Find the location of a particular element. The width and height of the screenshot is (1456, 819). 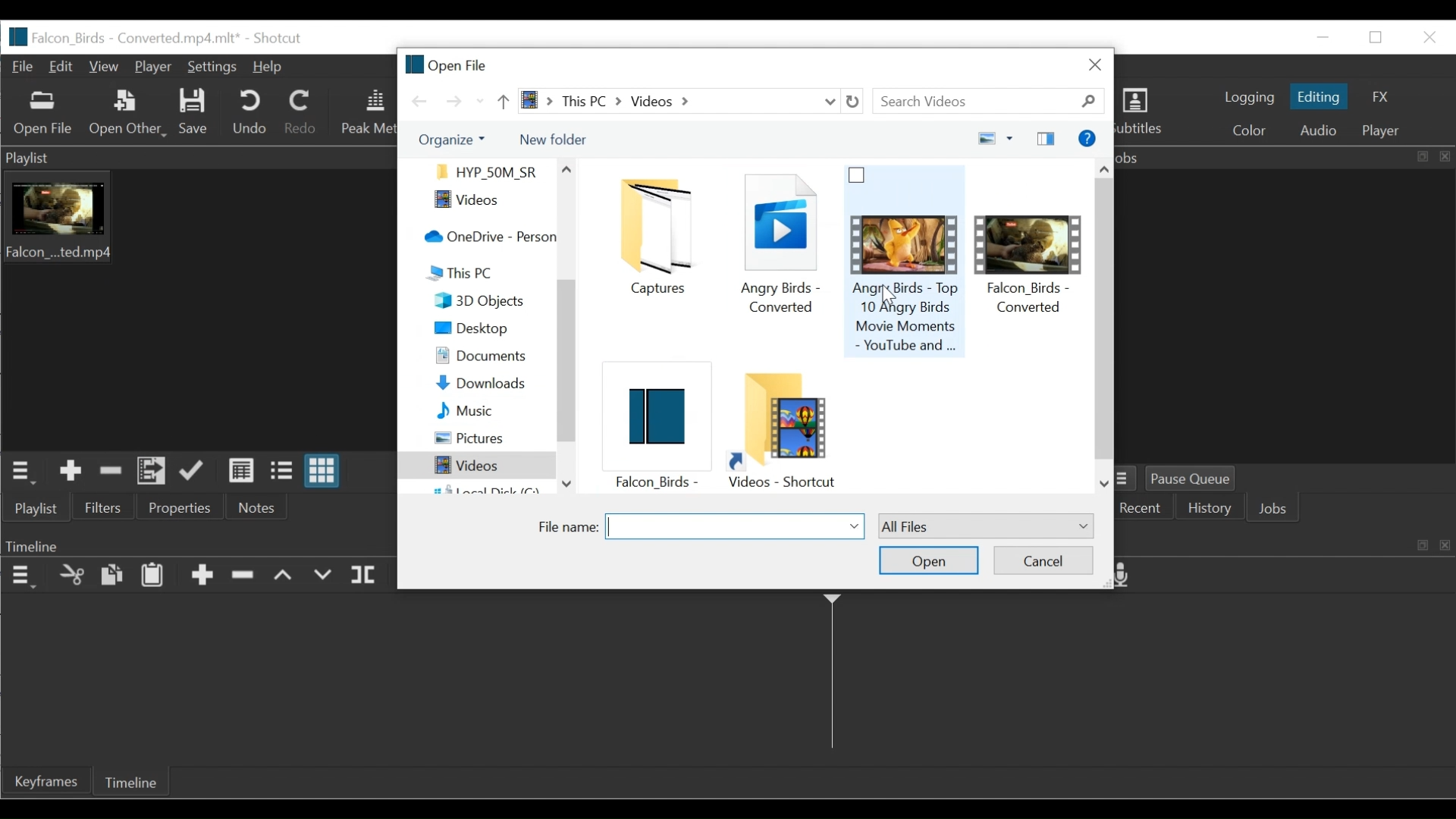

minimize is located at coordinates (1322, 37).